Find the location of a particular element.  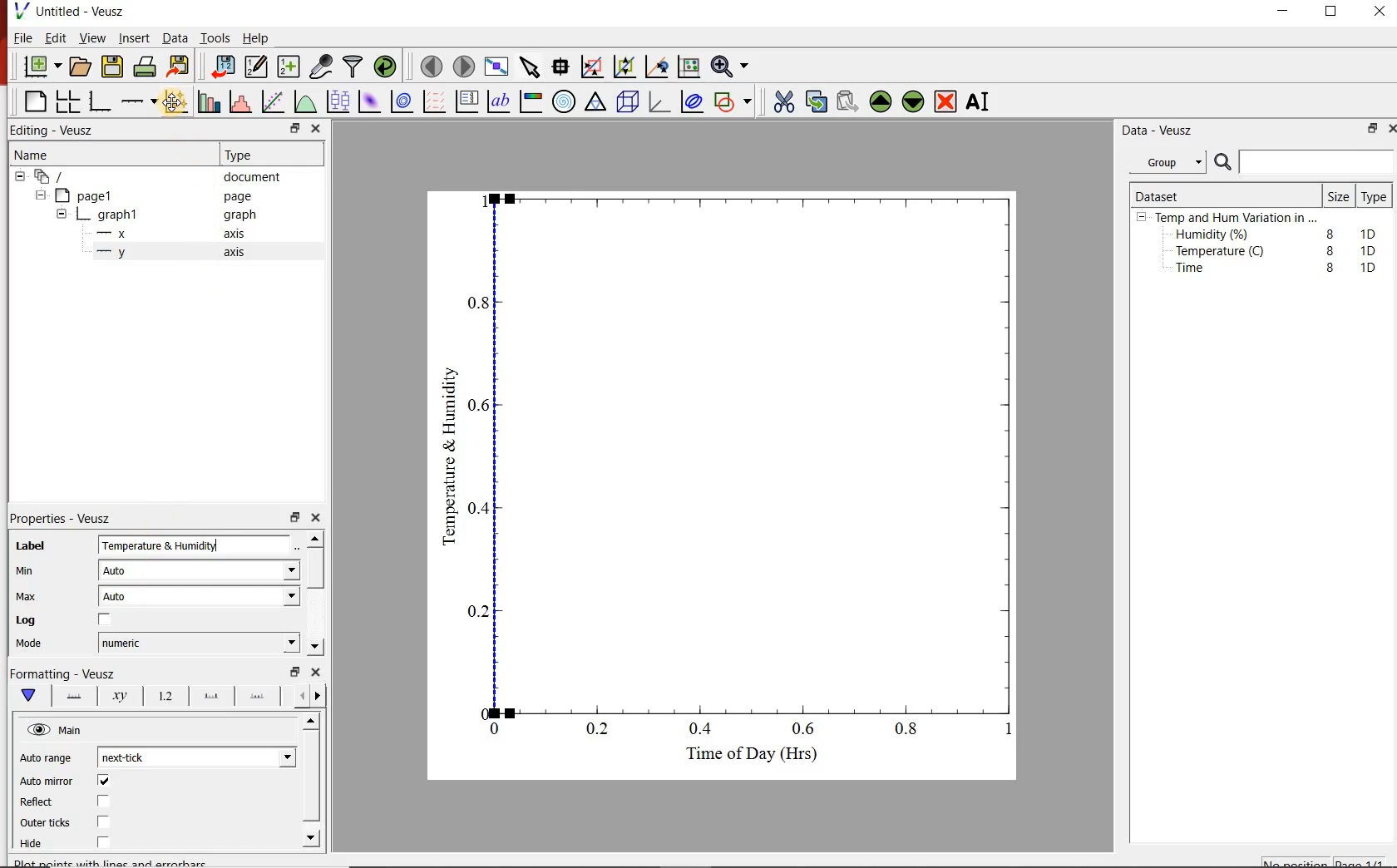

Hide is located at coordinates (86, 842).